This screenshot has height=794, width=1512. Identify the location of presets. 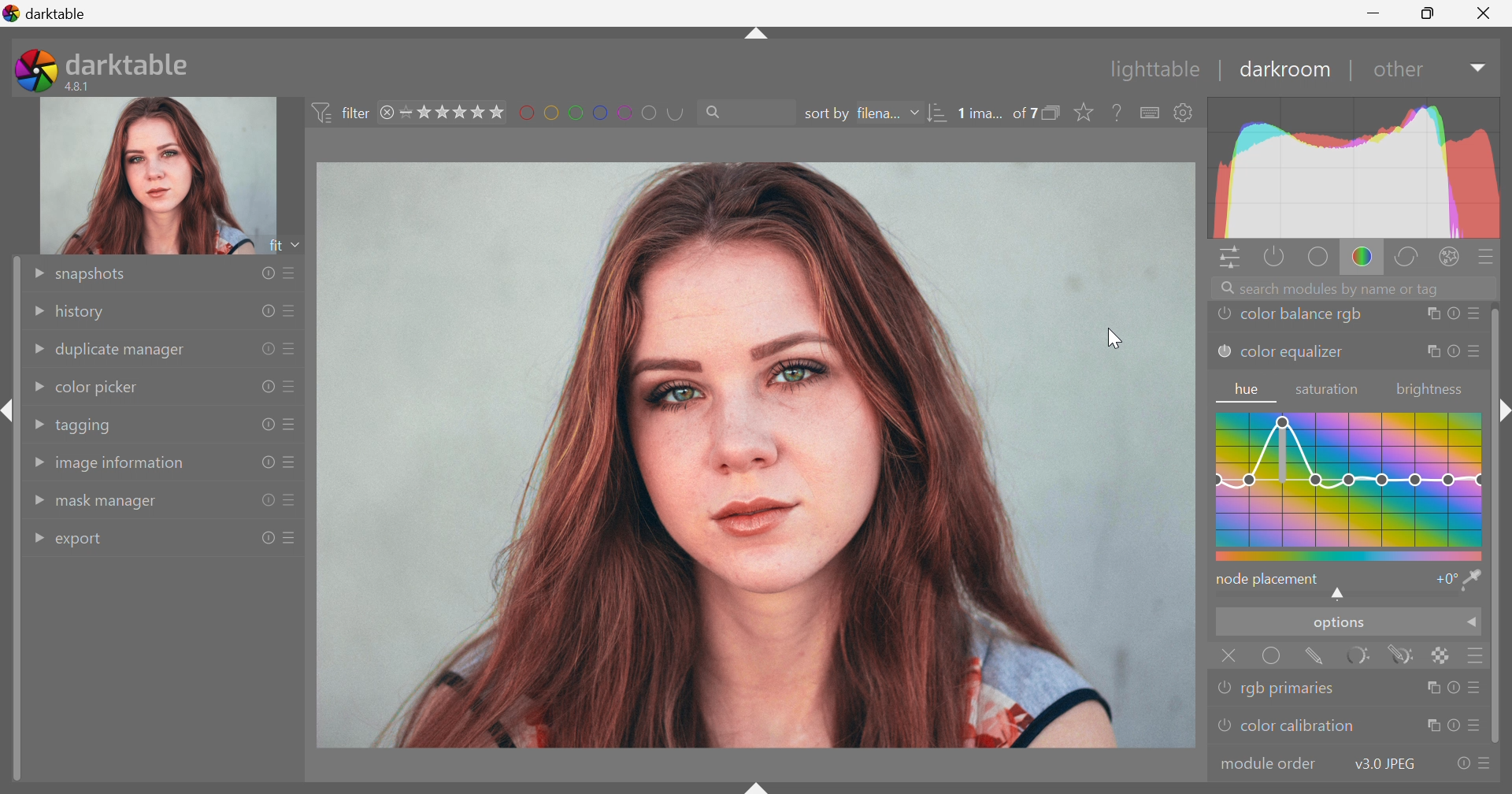
(291, 348).